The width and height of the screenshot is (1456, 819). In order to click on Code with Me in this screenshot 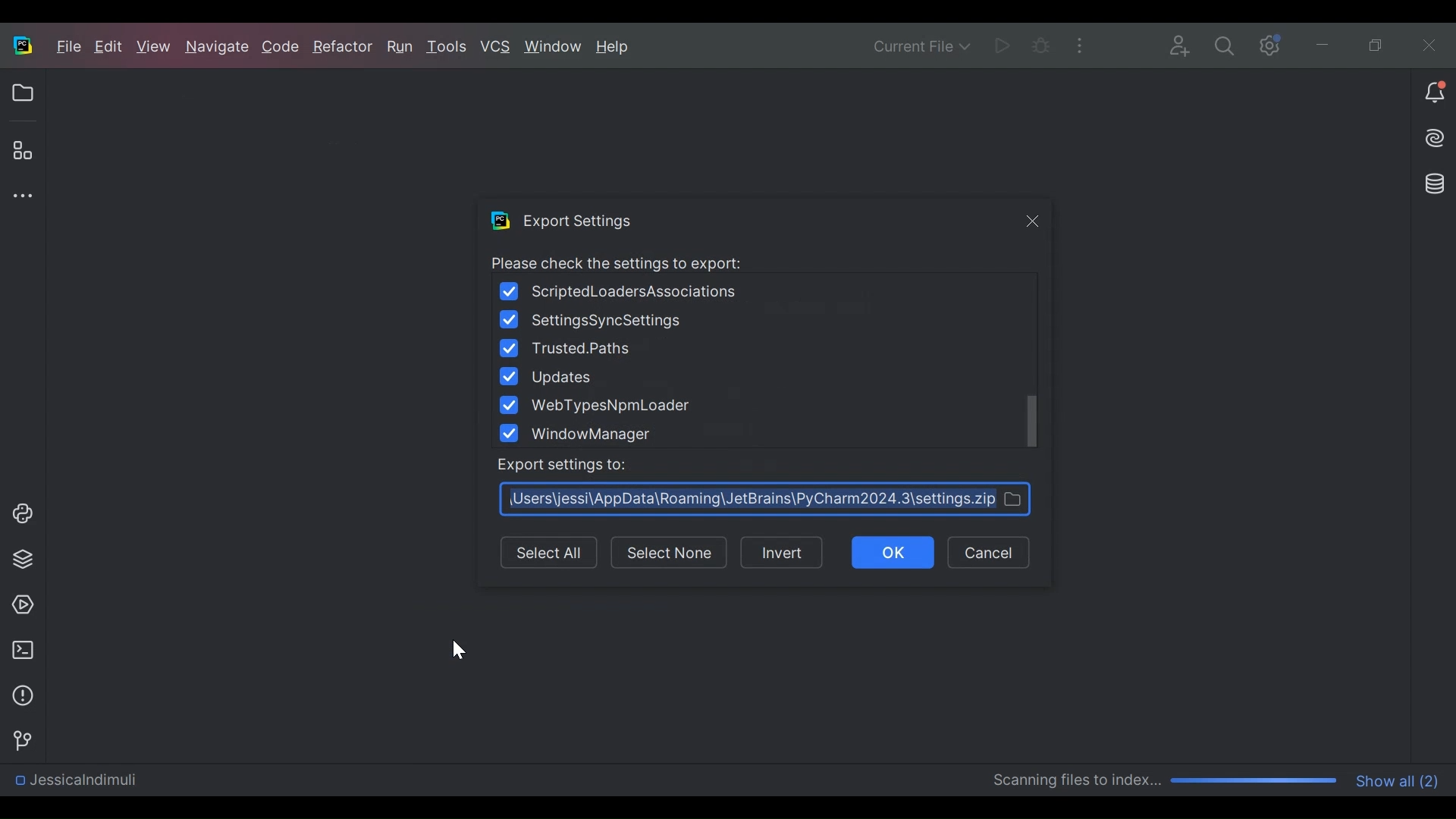, I will do `click(1181, 44)`.